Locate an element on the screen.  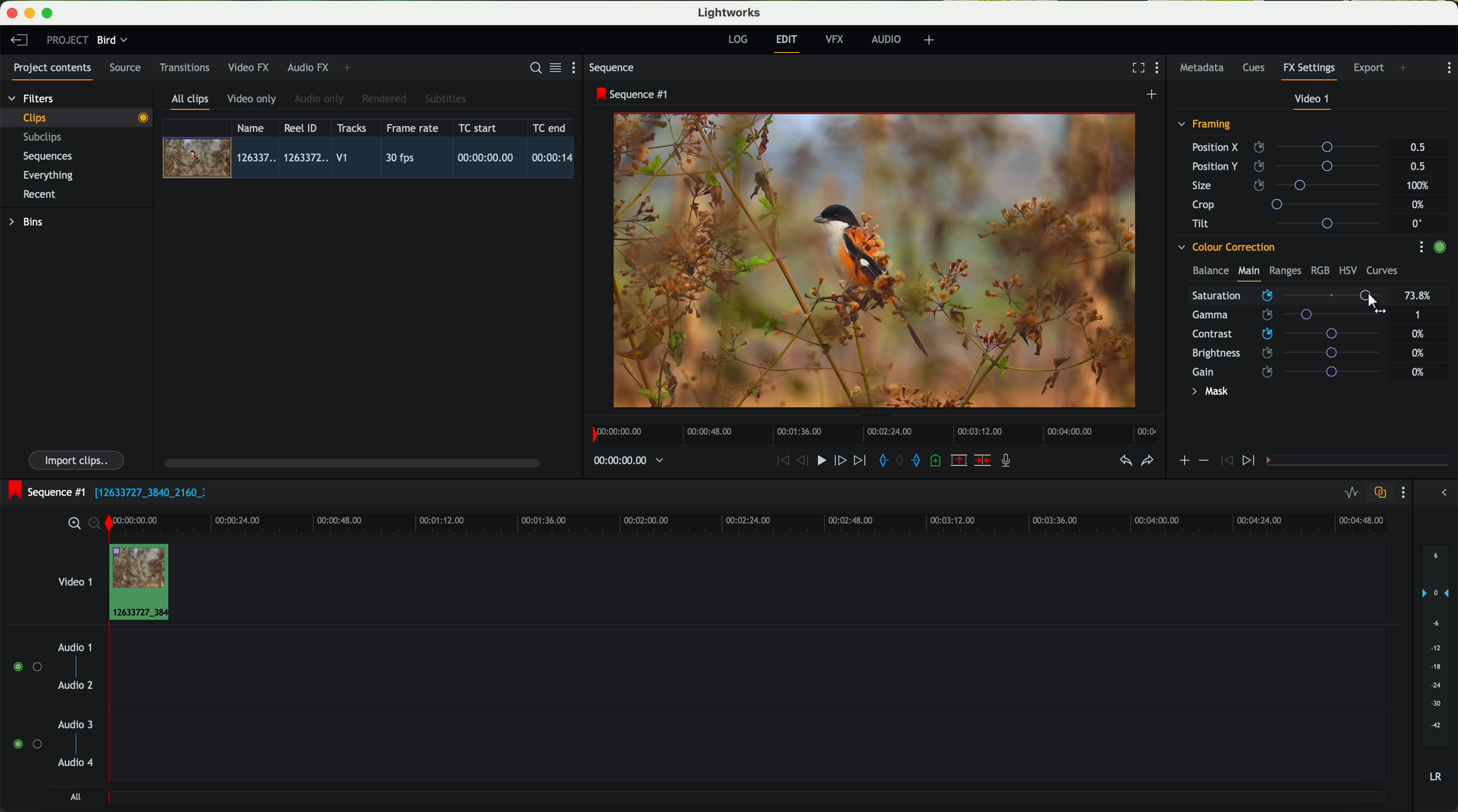
all clips is located at coordinates (191, 102).